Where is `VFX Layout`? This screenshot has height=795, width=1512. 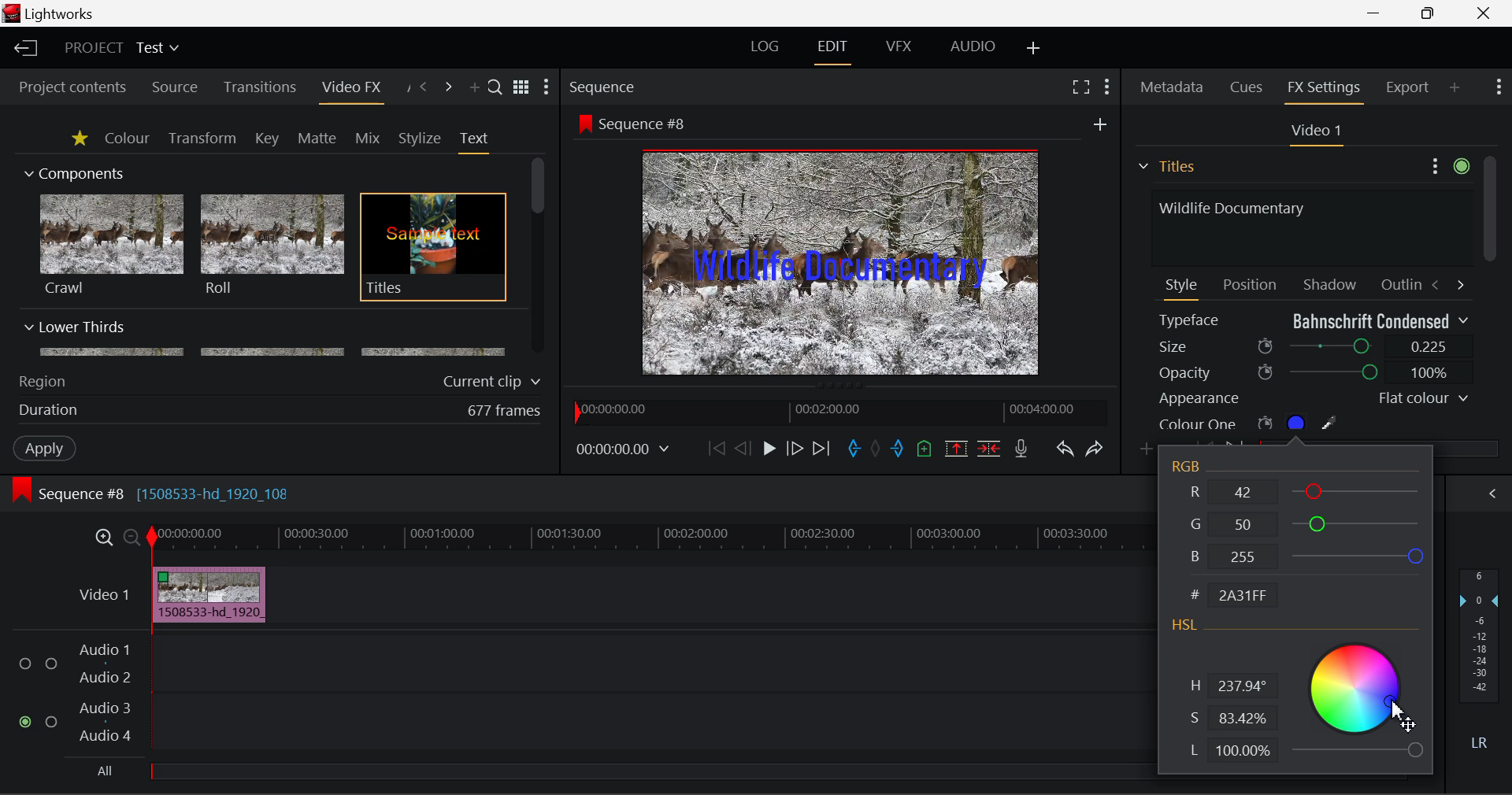 VFX Layout is located at coordinates (898, 46).